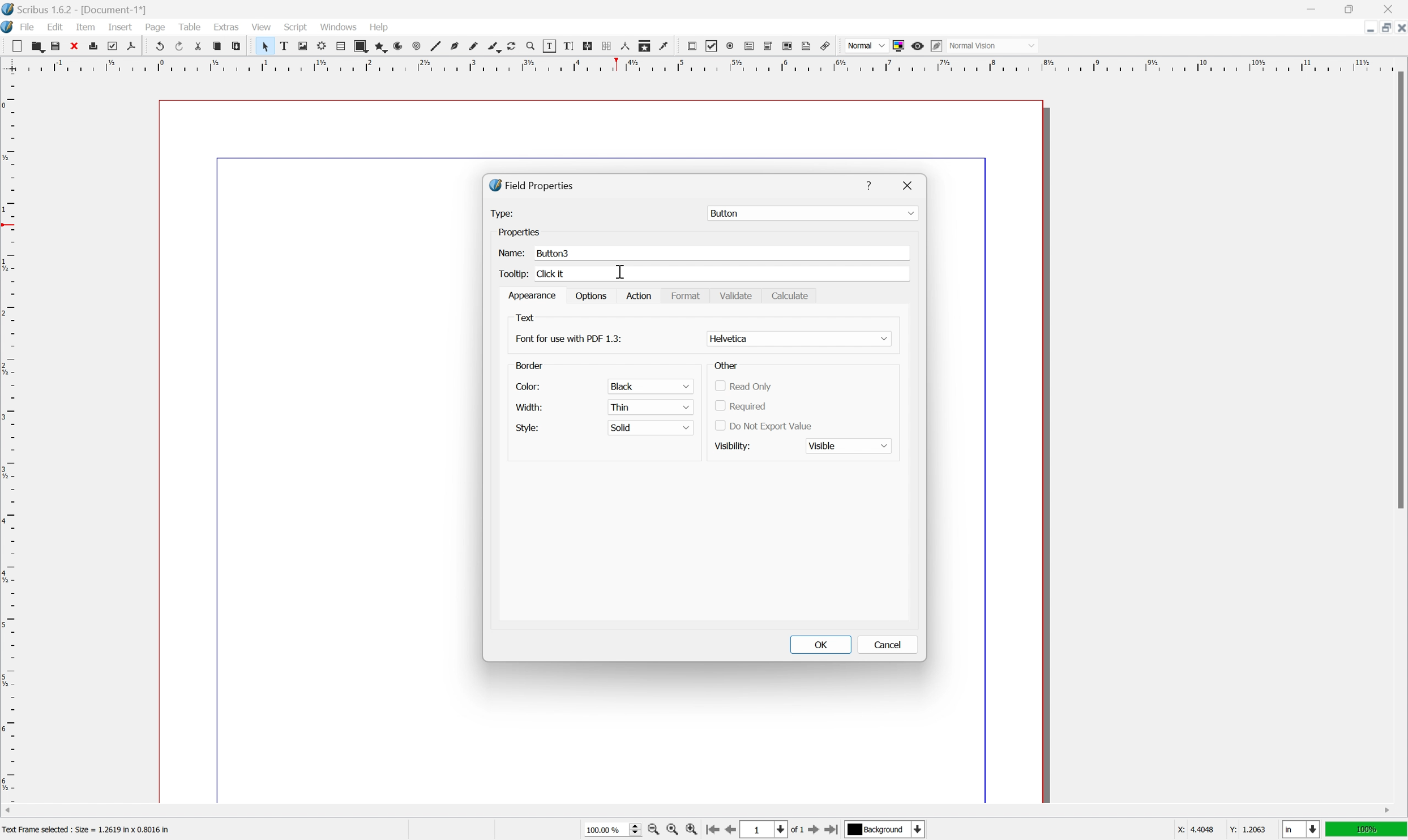  Describe the element at coordinates (1383, 27) in the screenshot. I see `restore down` at that location.